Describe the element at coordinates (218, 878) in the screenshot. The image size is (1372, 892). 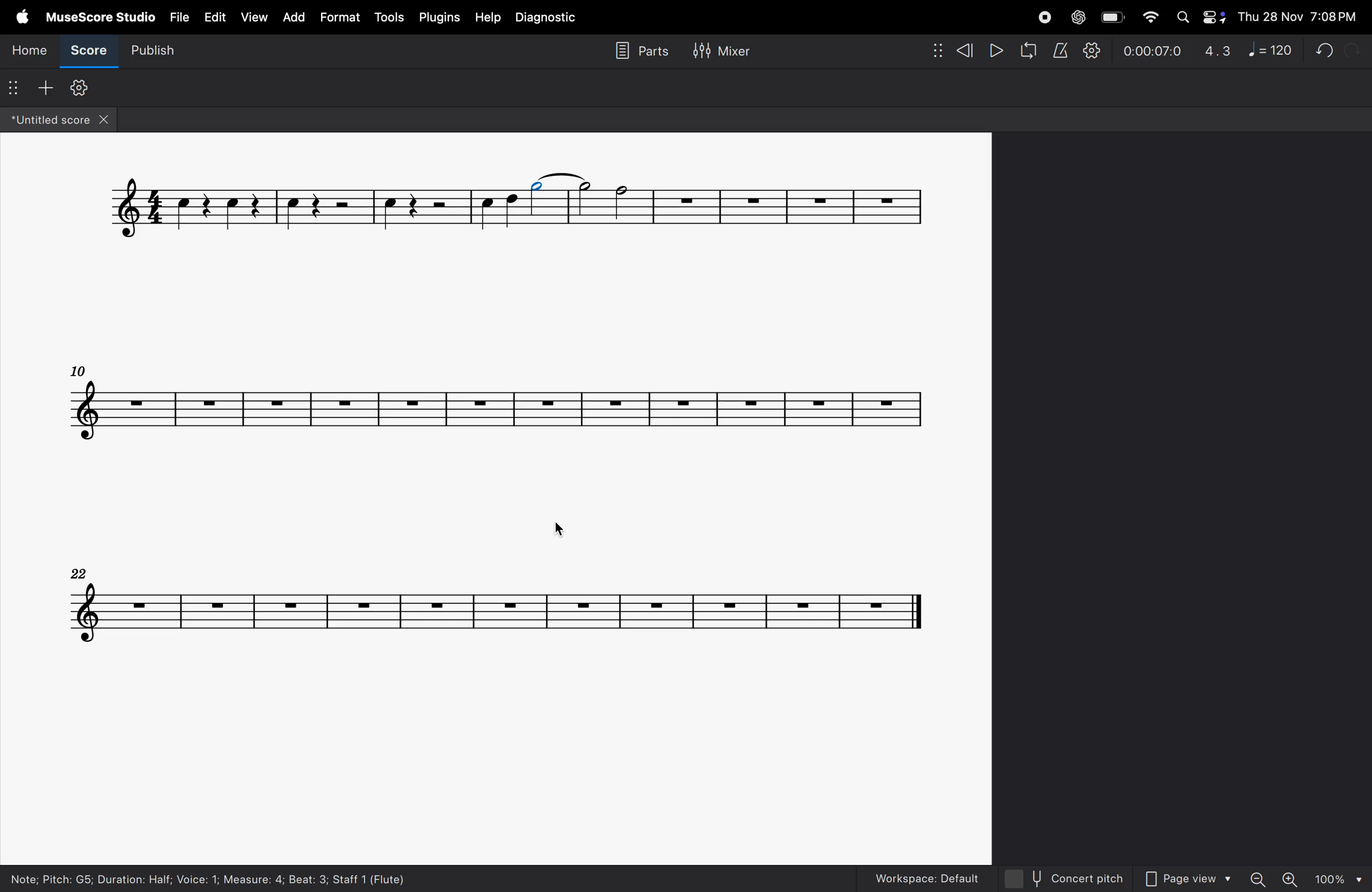
I see `Note; Pitch: G5; Duration: Quarter; Voice: 1; Measure: 4; Beat: 3; Staff 1 (Flute)` at that location.